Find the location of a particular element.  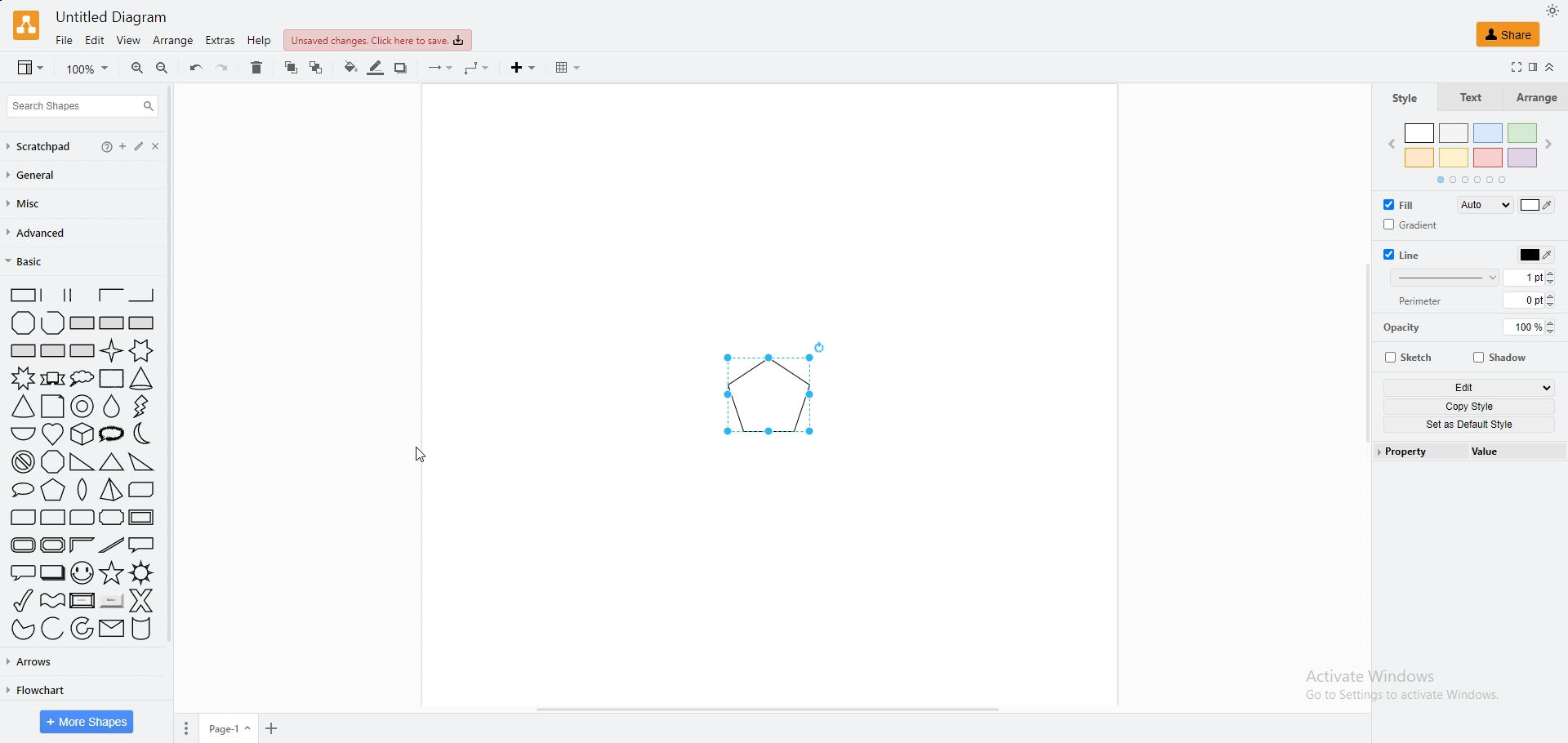

polygon is located at coordinates (24, 323).